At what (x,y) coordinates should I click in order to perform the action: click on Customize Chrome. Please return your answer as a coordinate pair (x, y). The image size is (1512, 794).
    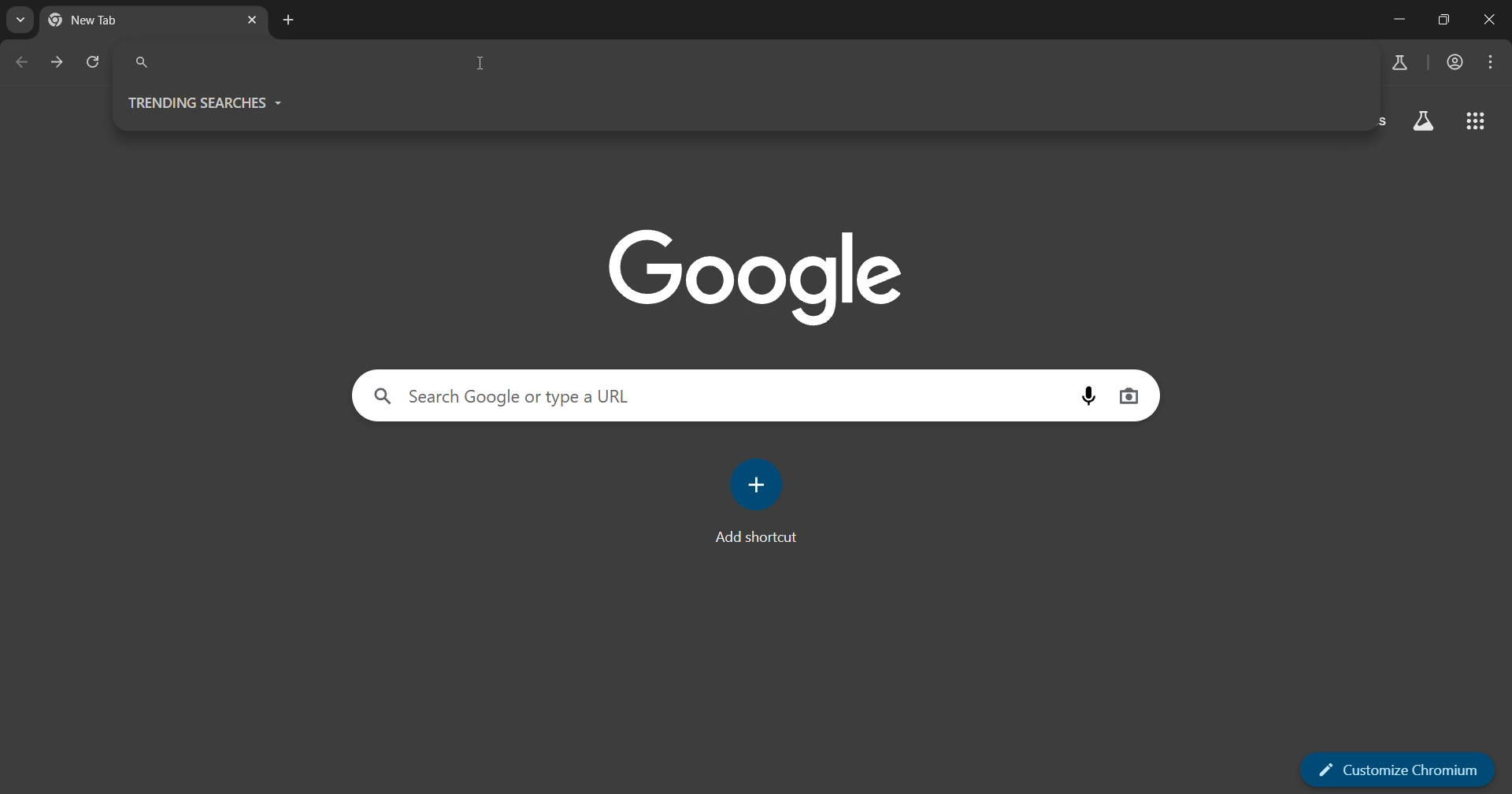
    Looking at the image, I should click on (1394, 769).